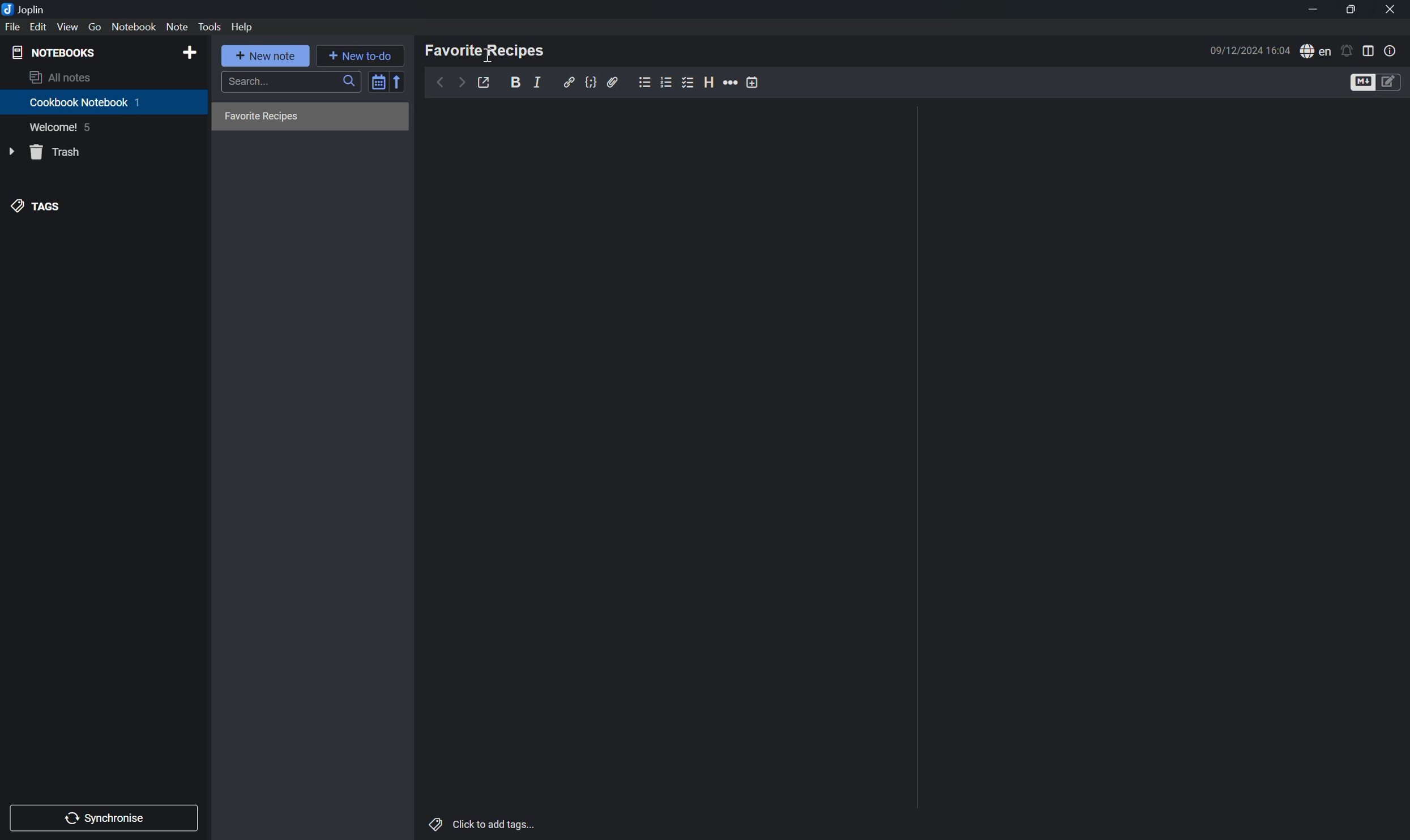 This screenshot has height=840, width=1410. What do you see at coordinates (290, 82) in the screenshot?
I see `Search` at bounding box center [290, 82].